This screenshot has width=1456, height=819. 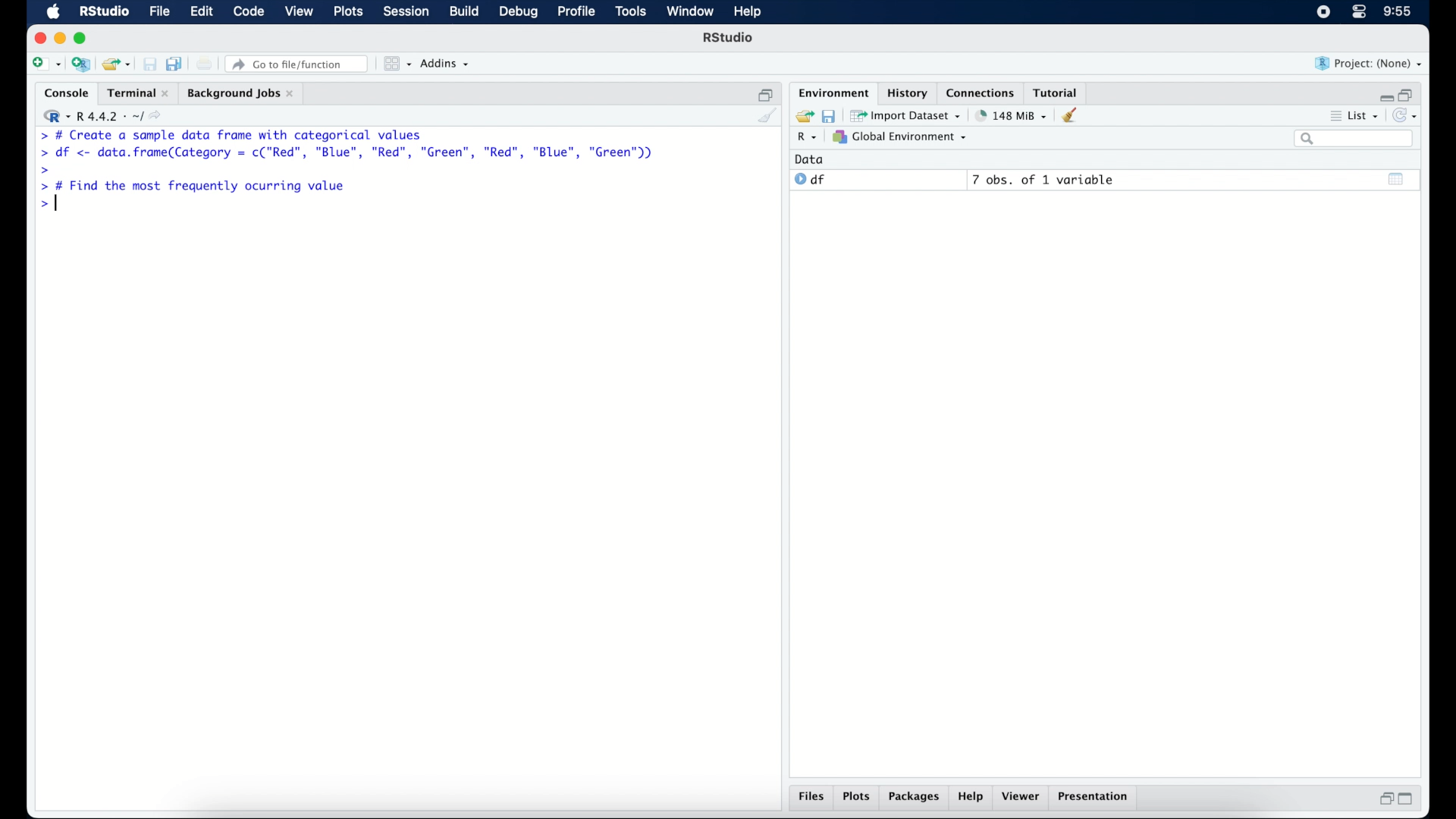 What do you see at coordinates (1369, 63) in the screenshot?
I see `project (none)` at bounding box center [1369, 63].